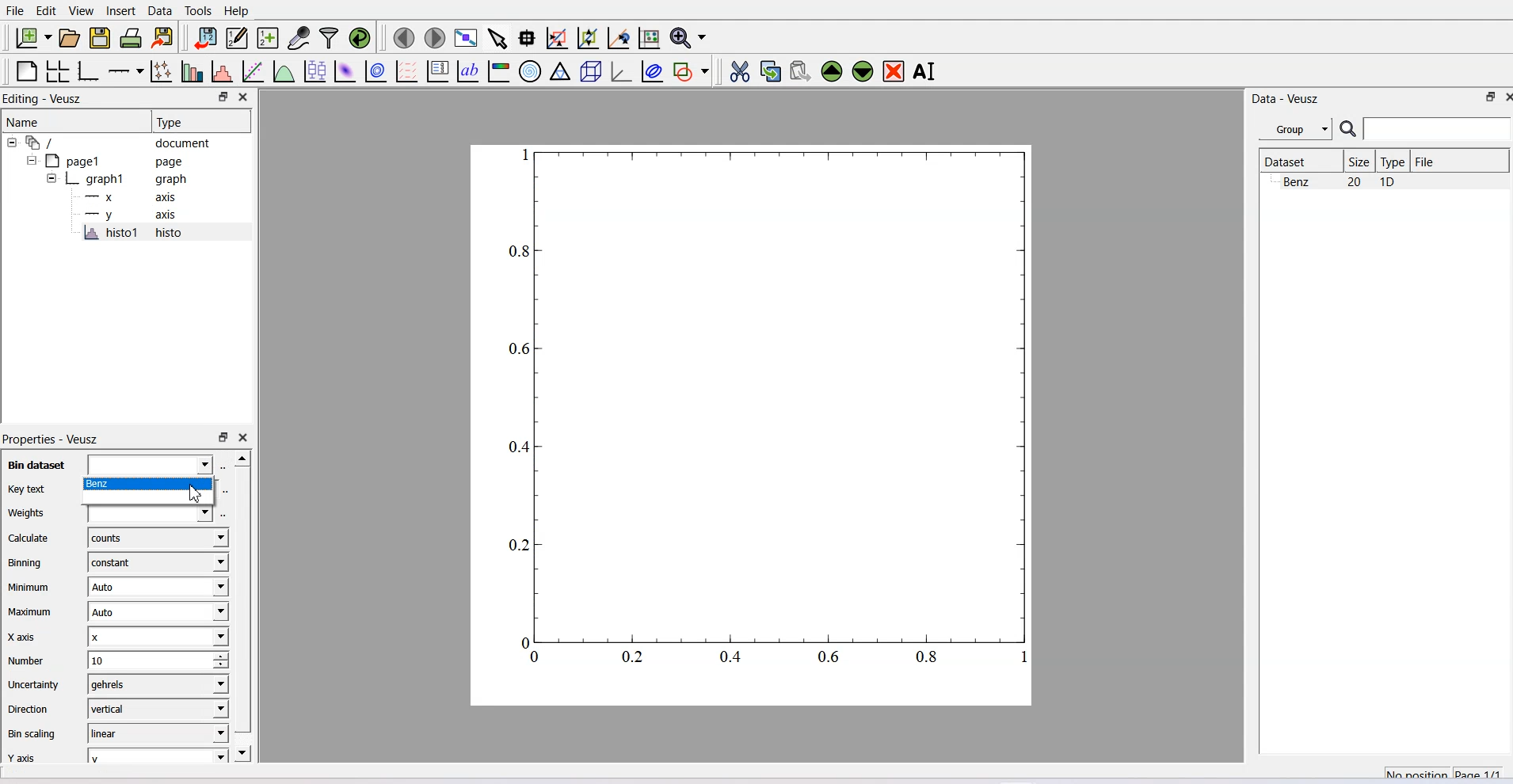  What do you see at coordinates (128, 178) in the screenshot?
I see `Graph` at bounding box center [128, 178].